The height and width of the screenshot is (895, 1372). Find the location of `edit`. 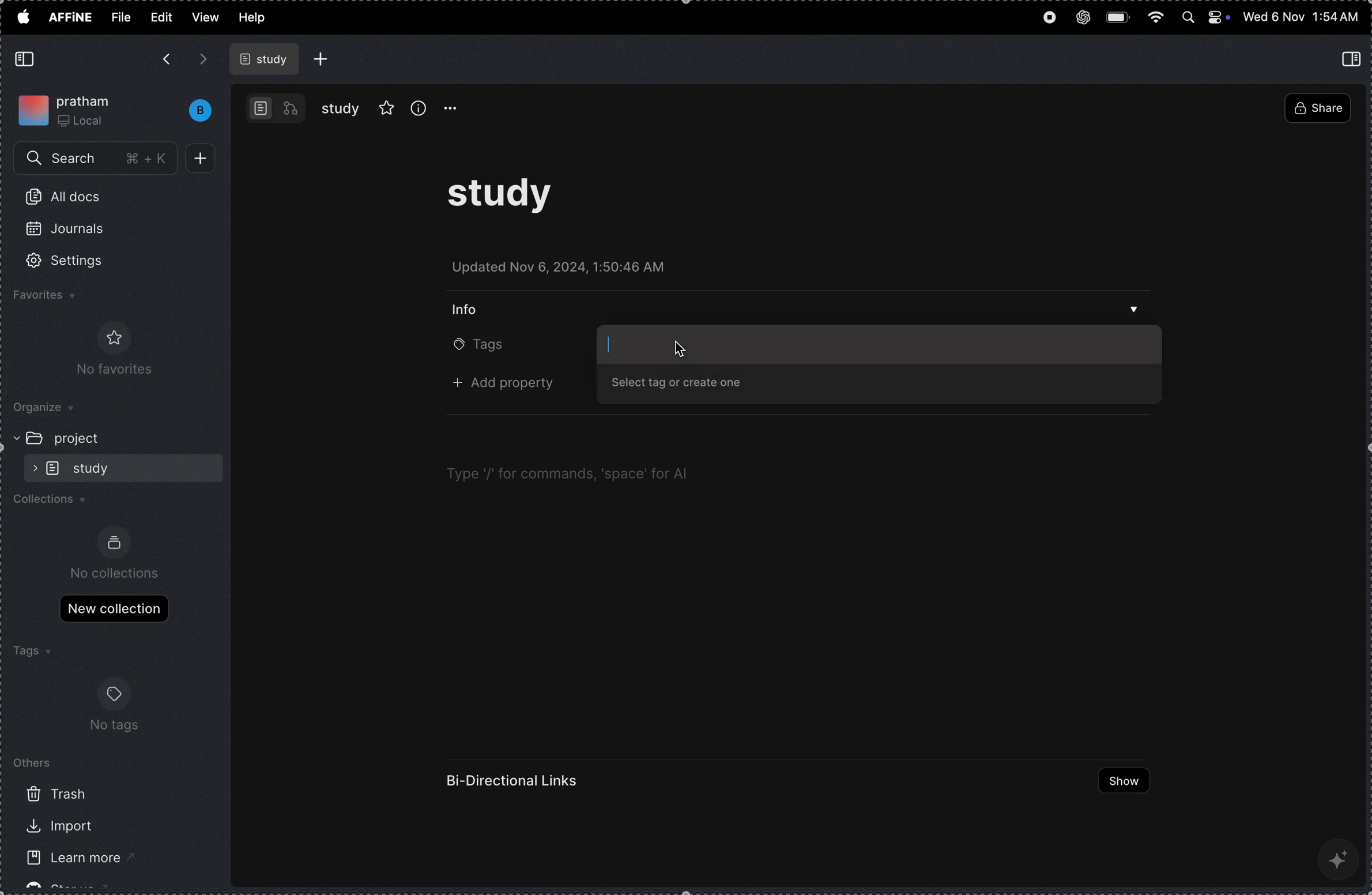

edit is located at coordinates (160, 16).